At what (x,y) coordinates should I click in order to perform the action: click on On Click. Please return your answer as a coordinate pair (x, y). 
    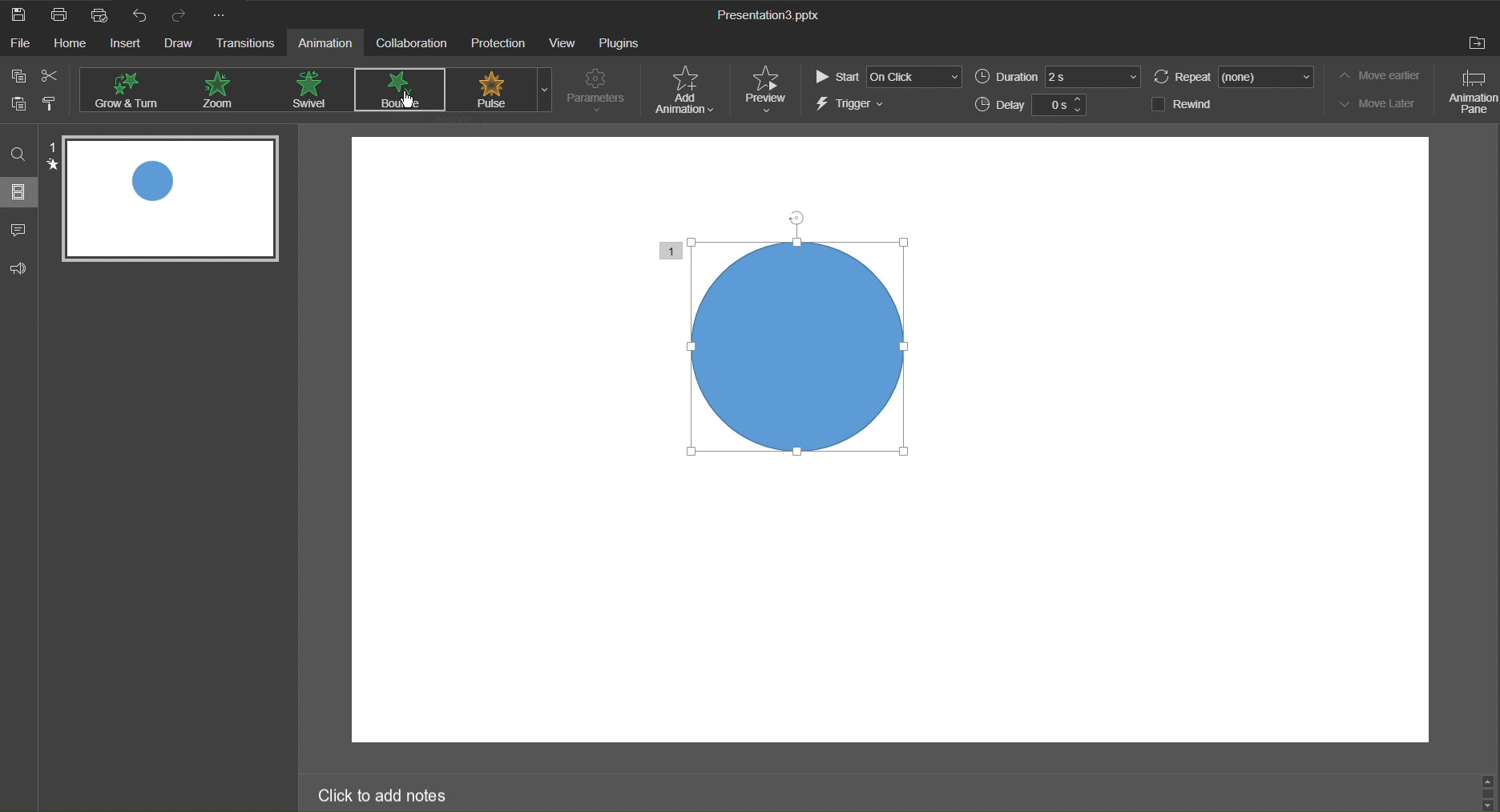
    Looking at the image, I should click on (916, 77).